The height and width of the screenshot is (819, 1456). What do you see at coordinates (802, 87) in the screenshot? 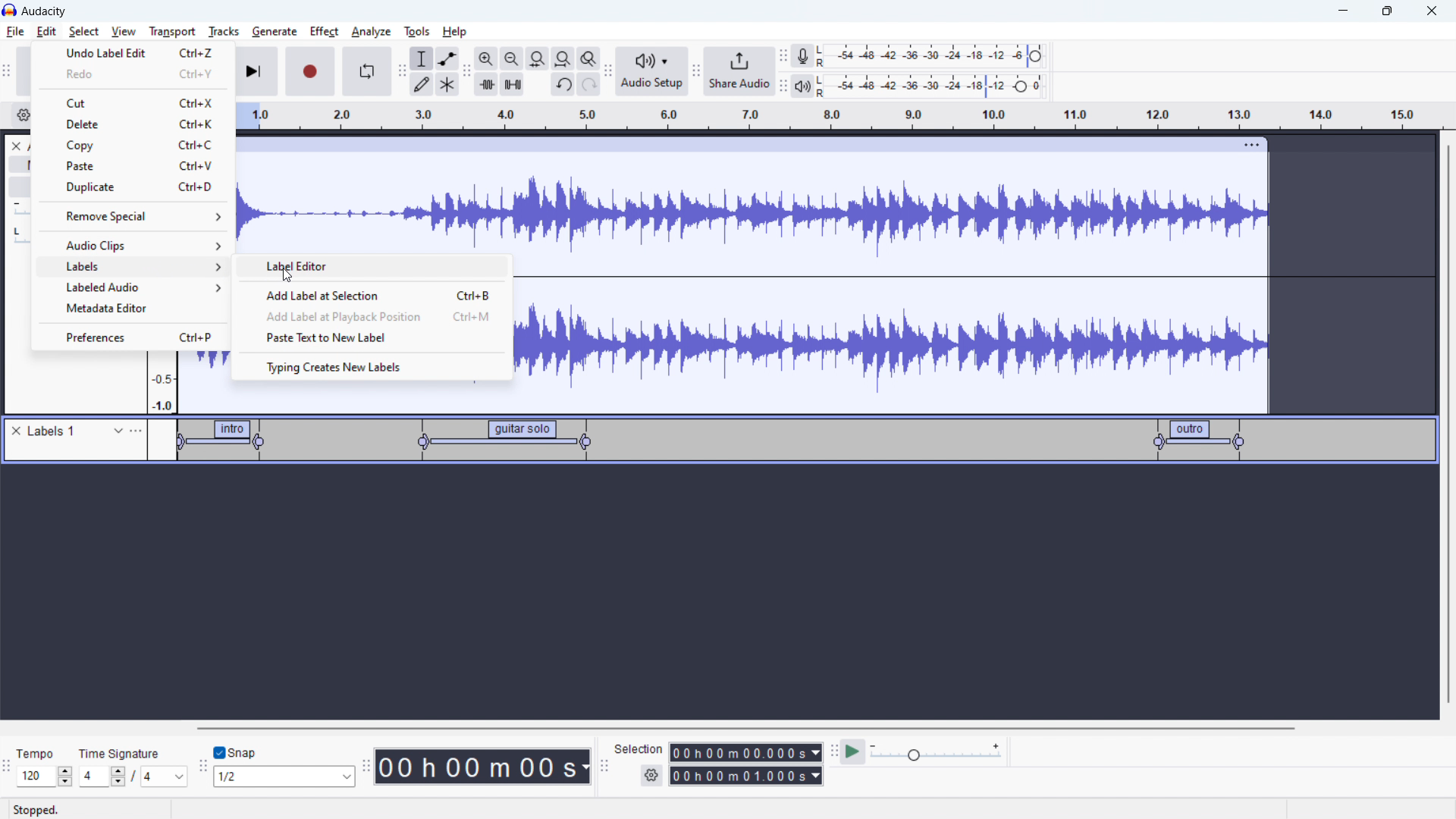
I see `playback meter` at bounding box center [802, 87].